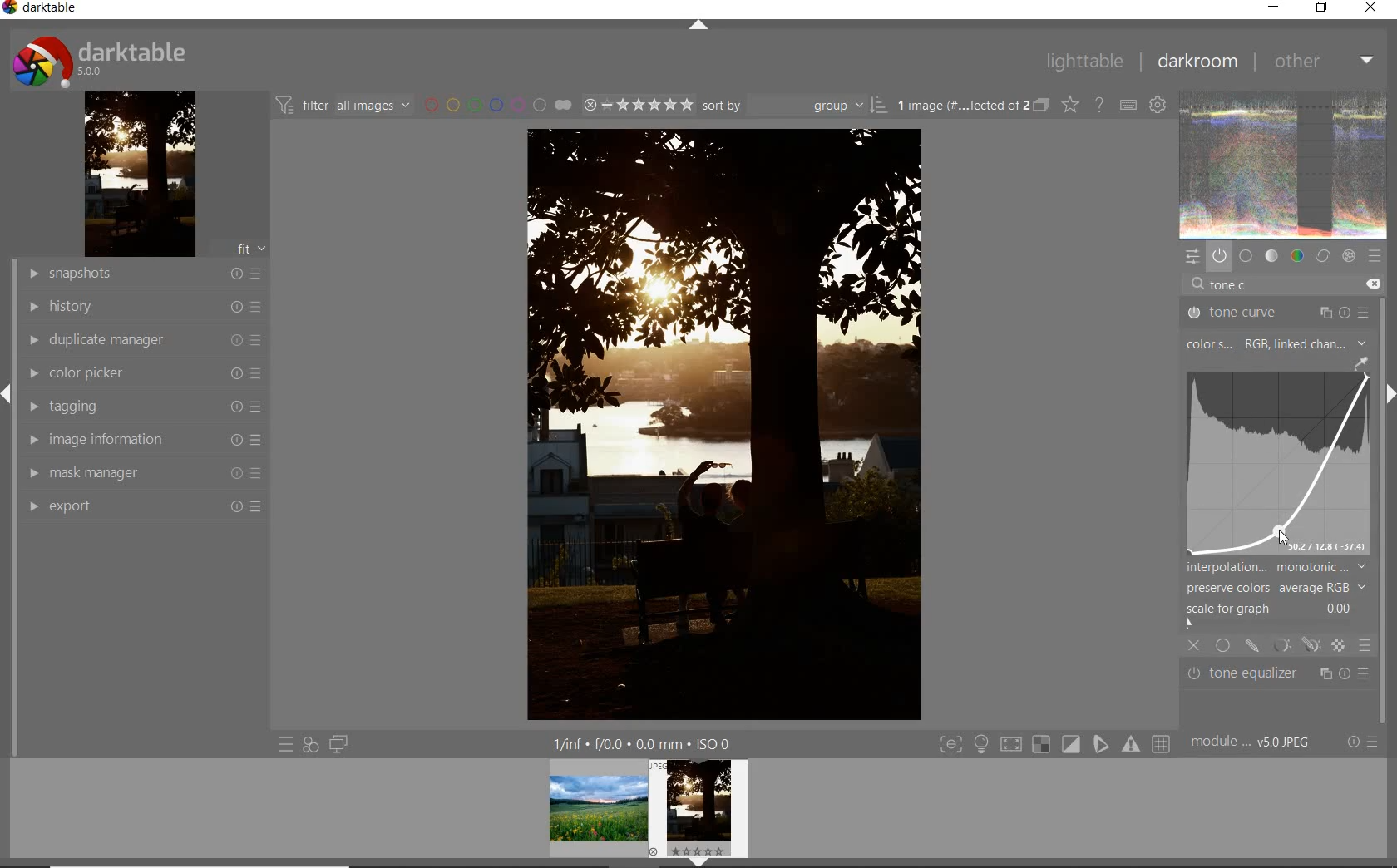 Image resolution: width=1397 pixels, height=868 pixels. What do you see at coordinates (1193, 255) in the screenshot?
I see `quick access panel` at bounding box center [1193, 255].